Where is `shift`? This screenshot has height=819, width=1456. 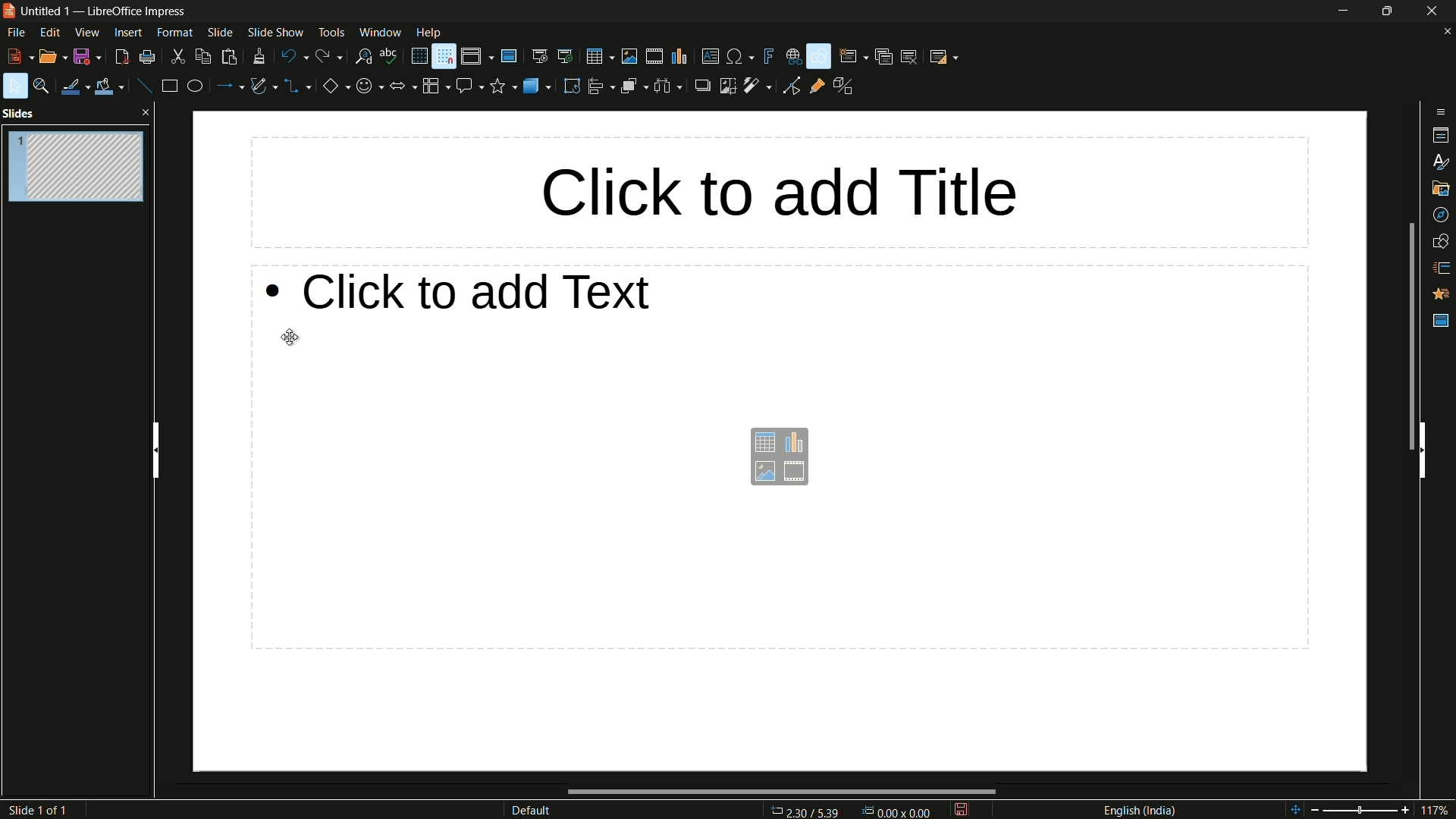
shift is located at coordinates (1295, 811).